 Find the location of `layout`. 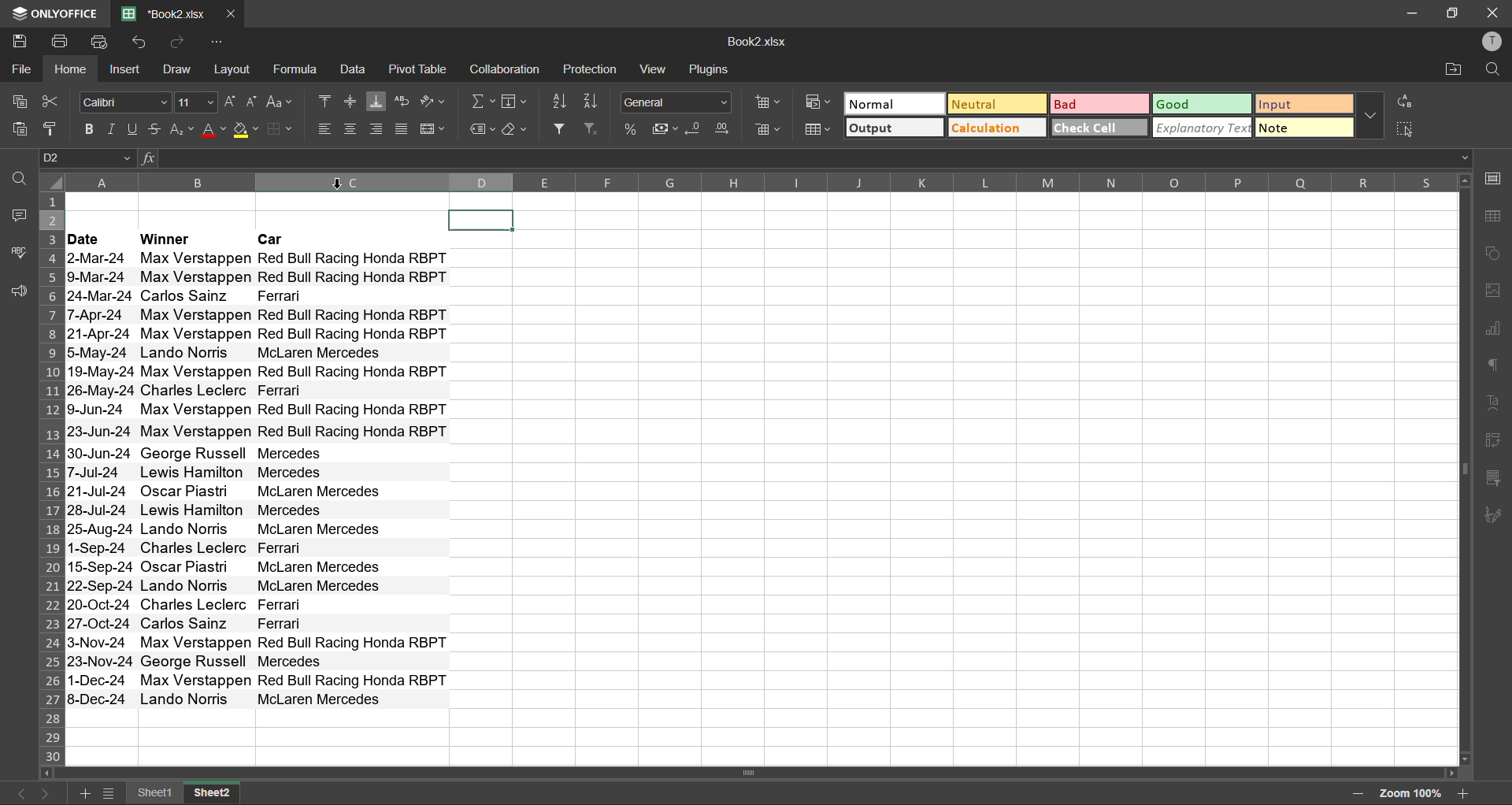

layout is located at coordinates (235, 69).